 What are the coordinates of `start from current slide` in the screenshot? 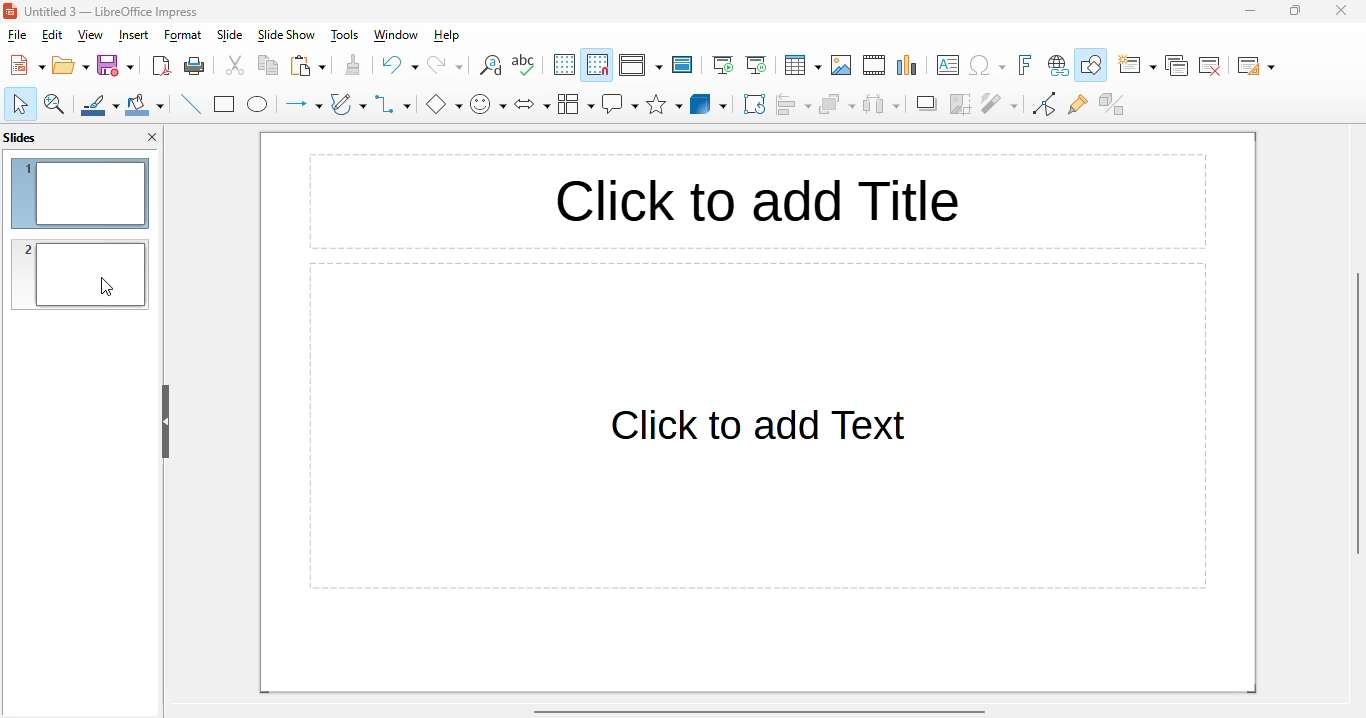 It's located at (756, 66).